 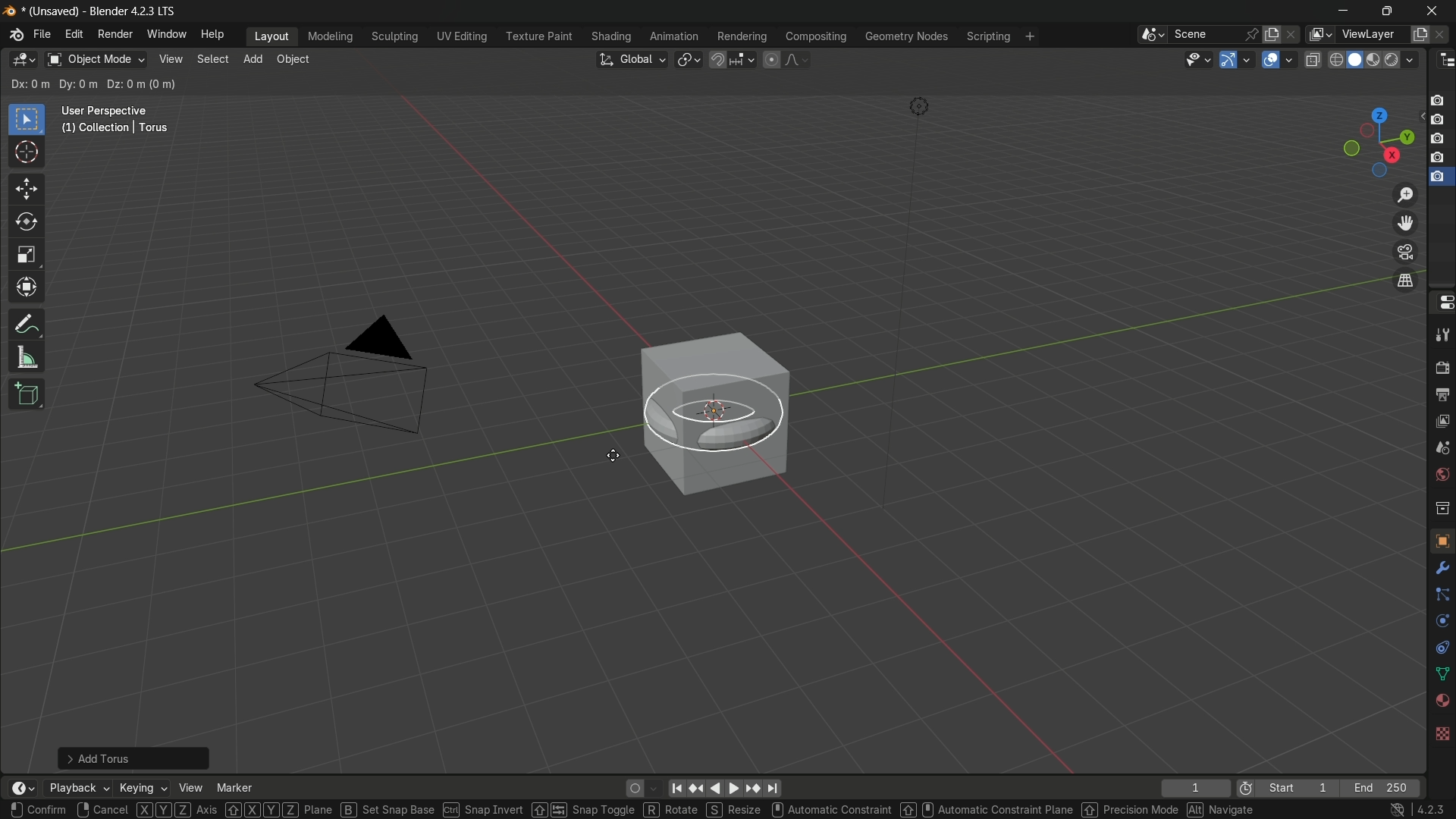 I want to click on edit menu, so click(x=73, y=33).